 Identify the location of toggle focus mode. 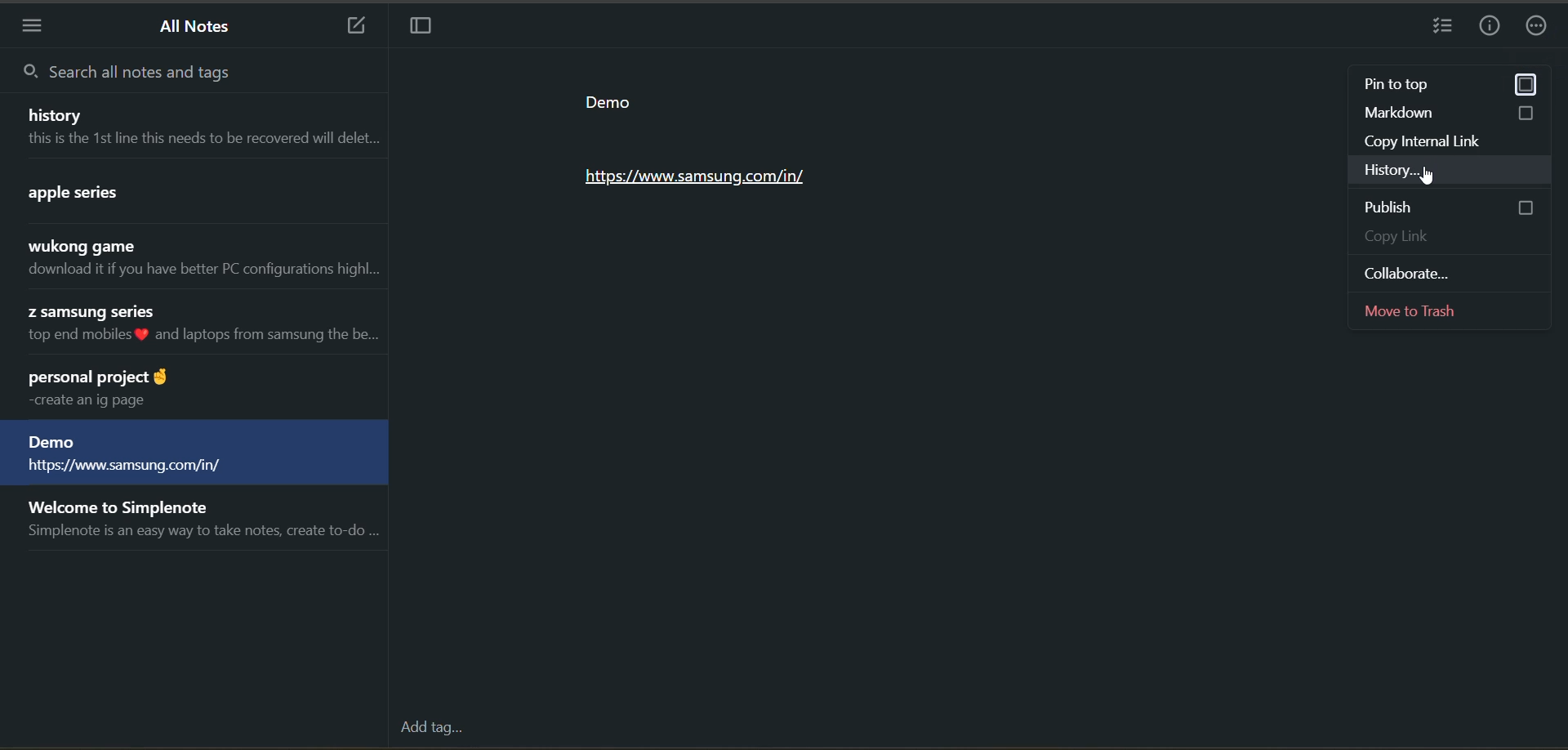
(419, 28).